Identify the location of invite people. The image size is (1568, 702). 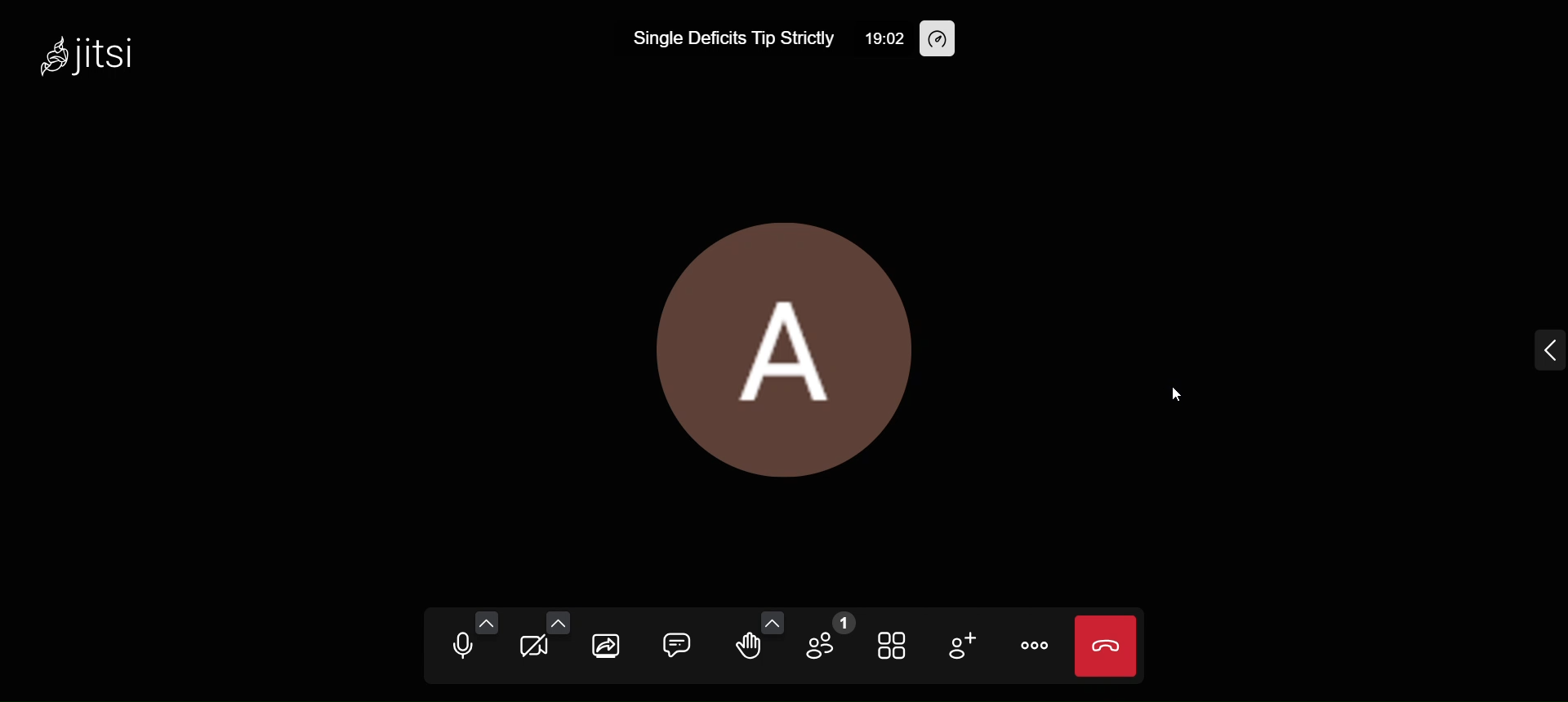
(960, 643).